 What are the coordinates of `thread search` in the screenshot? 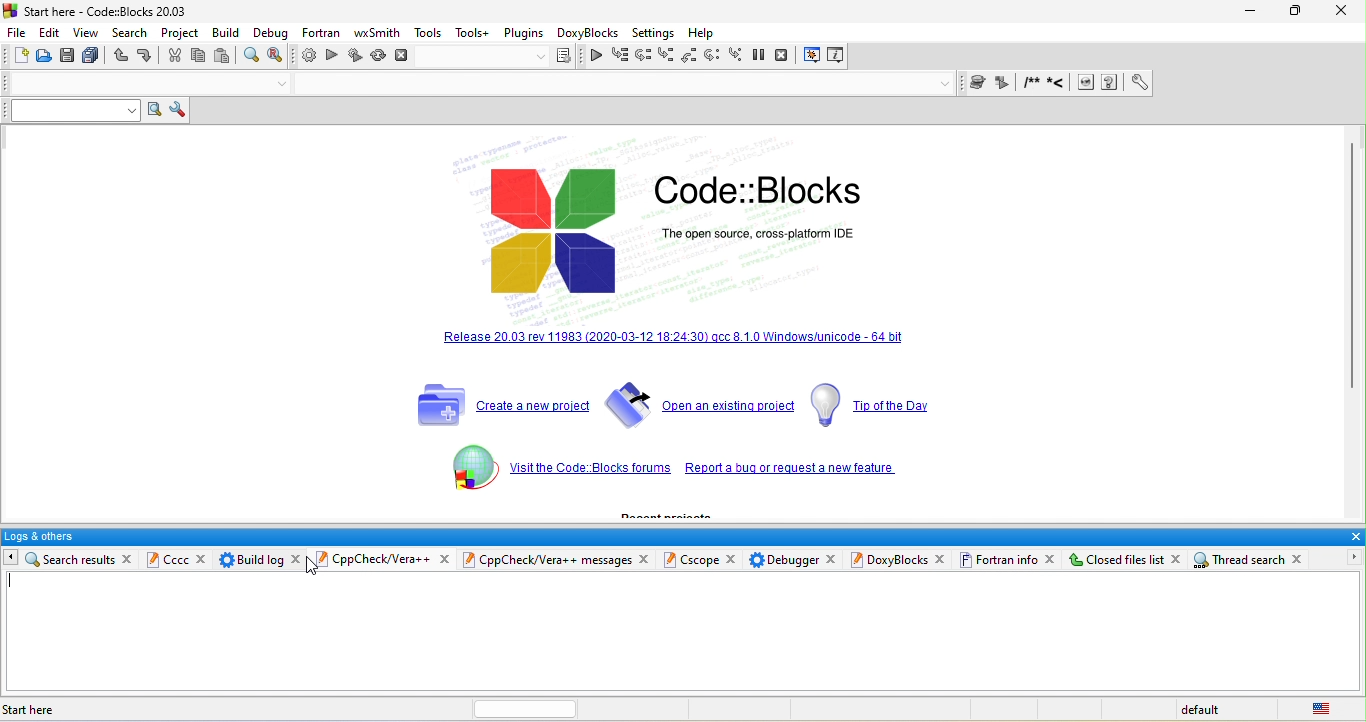 It's located at (1237, 560).